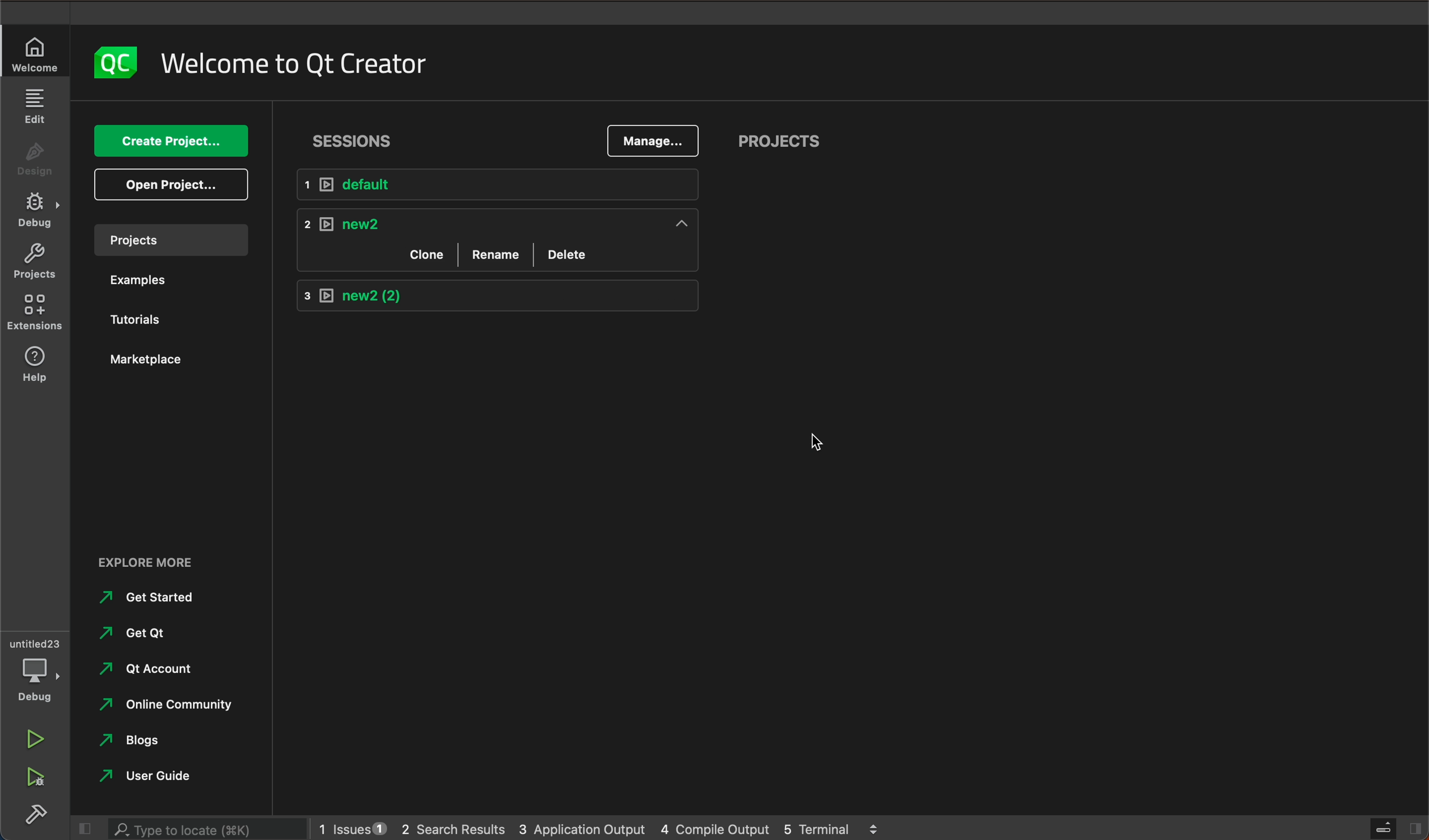 The height and width of the screenshot is (840, 1429). Describe the element at coordinates (501, 296) in the screenshot. I see `new2` at that location.